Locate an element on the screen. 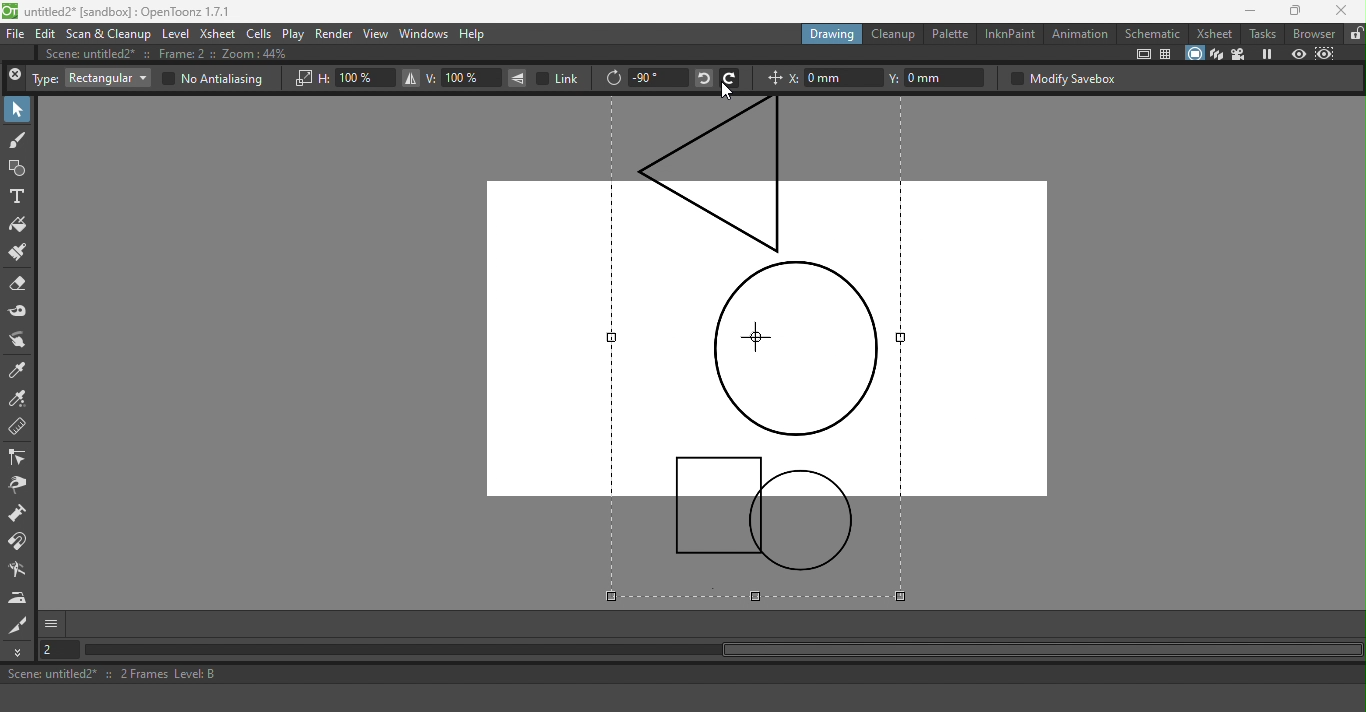 This screenshot has width=1366, height=712. Scene: untitled2* :: 2 Frames Level: B is located at coordinates (681, 675).